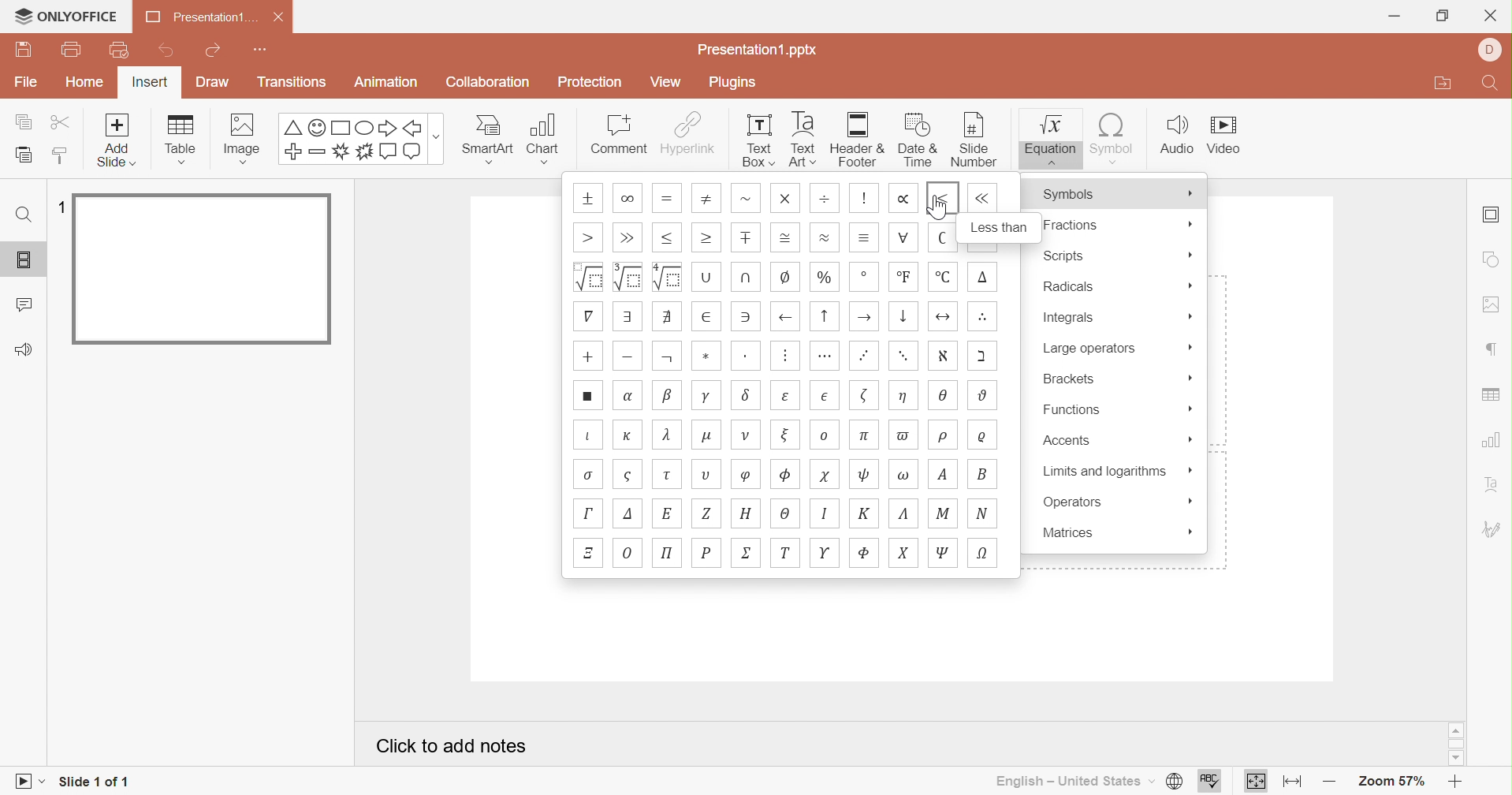 The width and height of the screenshot is (1512, 795). What do you see at coordinates (1116, 192) in the screenshot?
I see `Symbols` at bounding box center [1116, 192].